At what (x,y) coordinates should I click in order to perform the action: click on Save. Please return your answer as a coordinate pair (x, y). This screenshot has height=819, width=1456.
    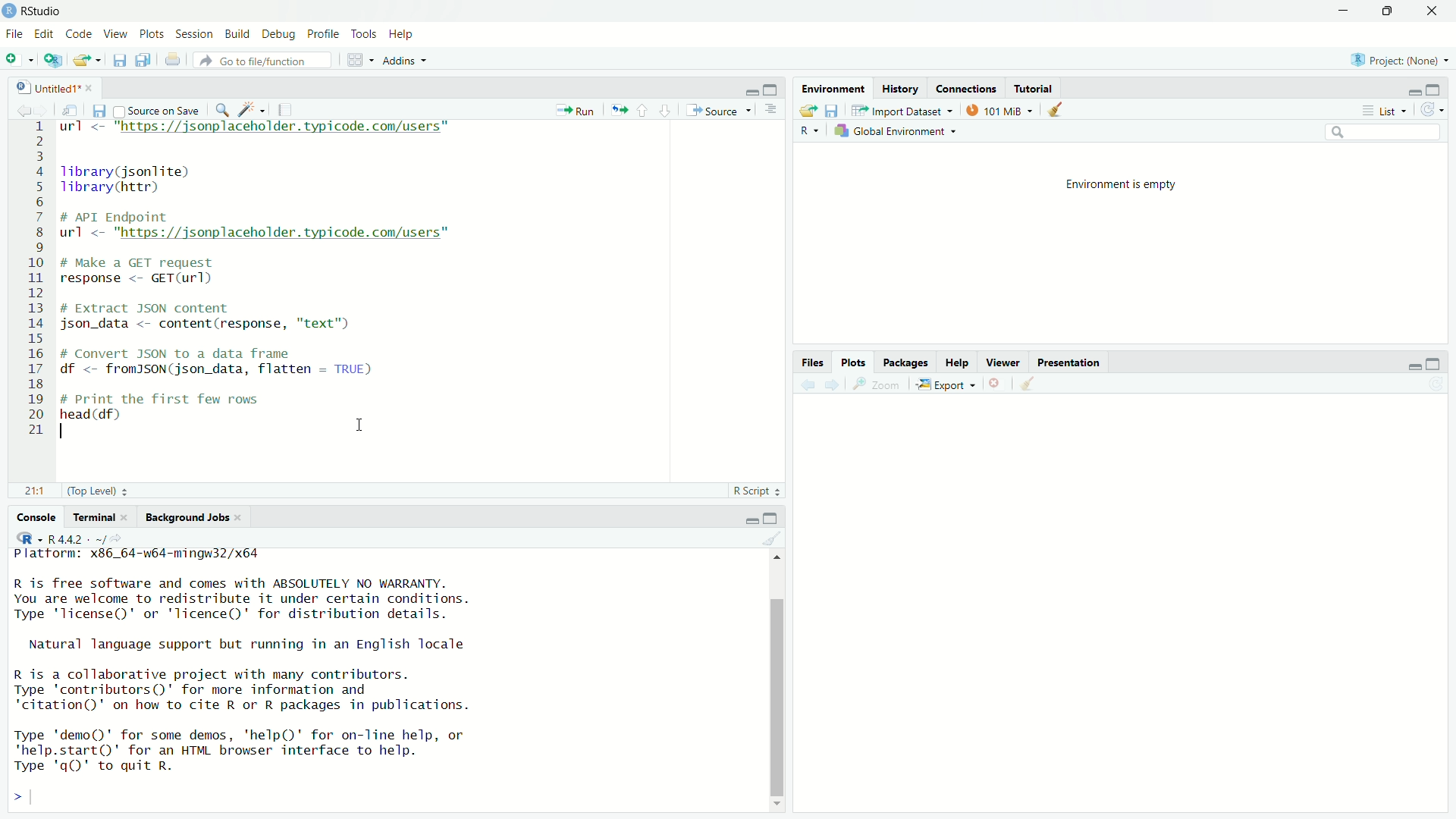
    Looking at the image, I should click on (831, 111).